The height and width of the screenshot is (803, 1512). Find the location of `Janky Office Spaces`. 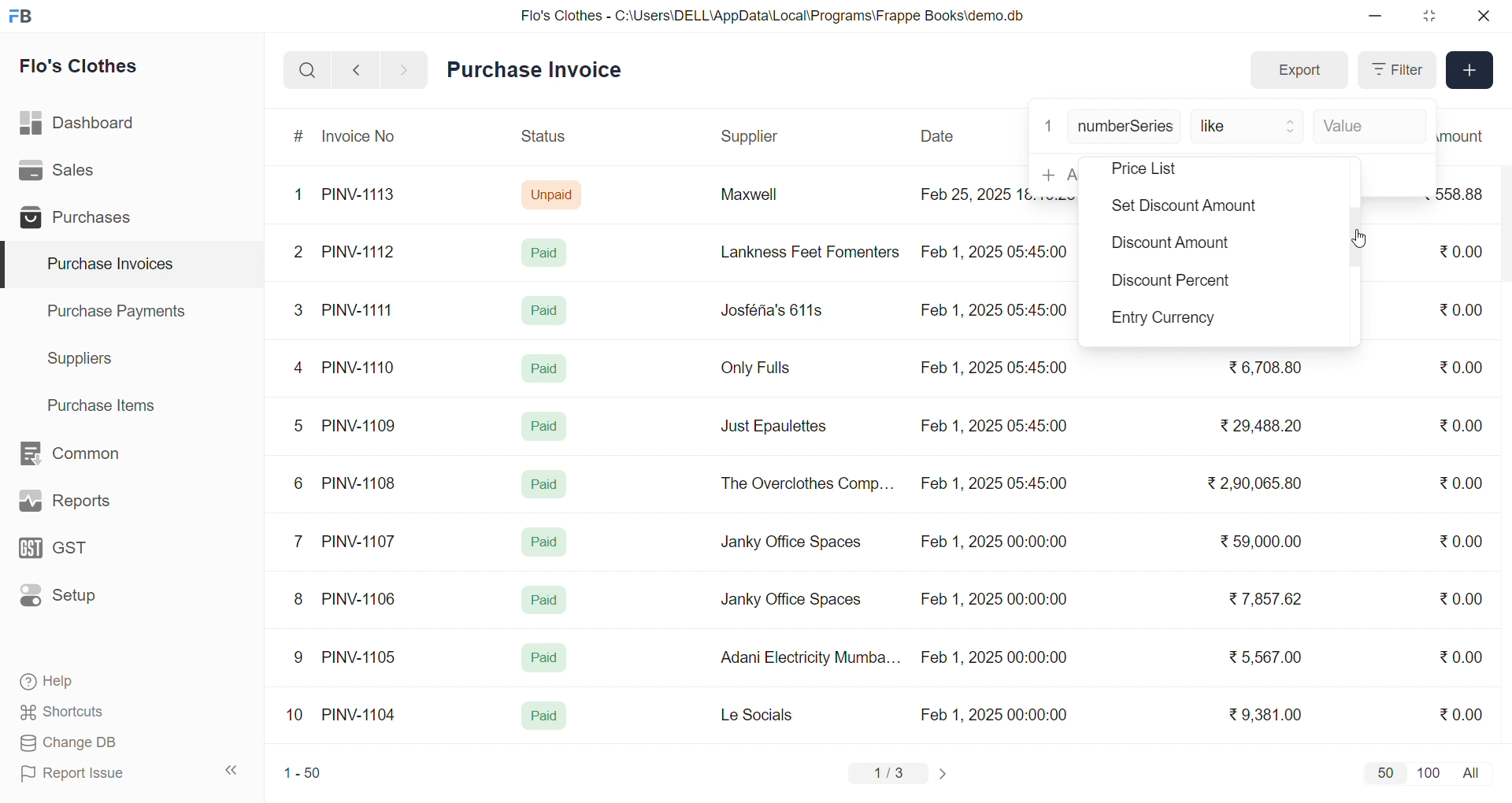

Janky Office Spaces is located at coordinates (792, 543).